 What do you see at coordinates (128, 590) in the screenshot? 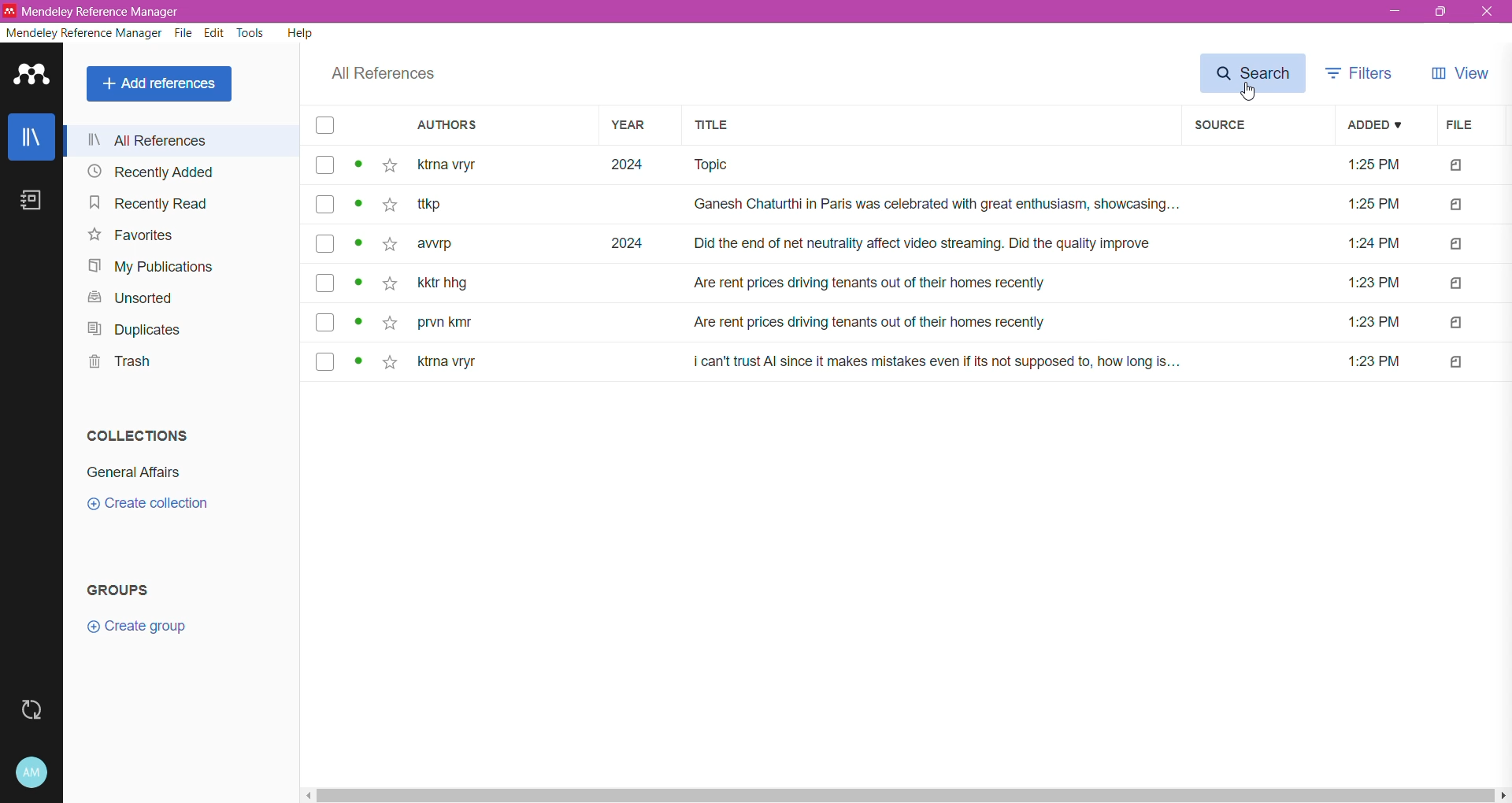
I see `Groups` at bounding box center [128, 590].